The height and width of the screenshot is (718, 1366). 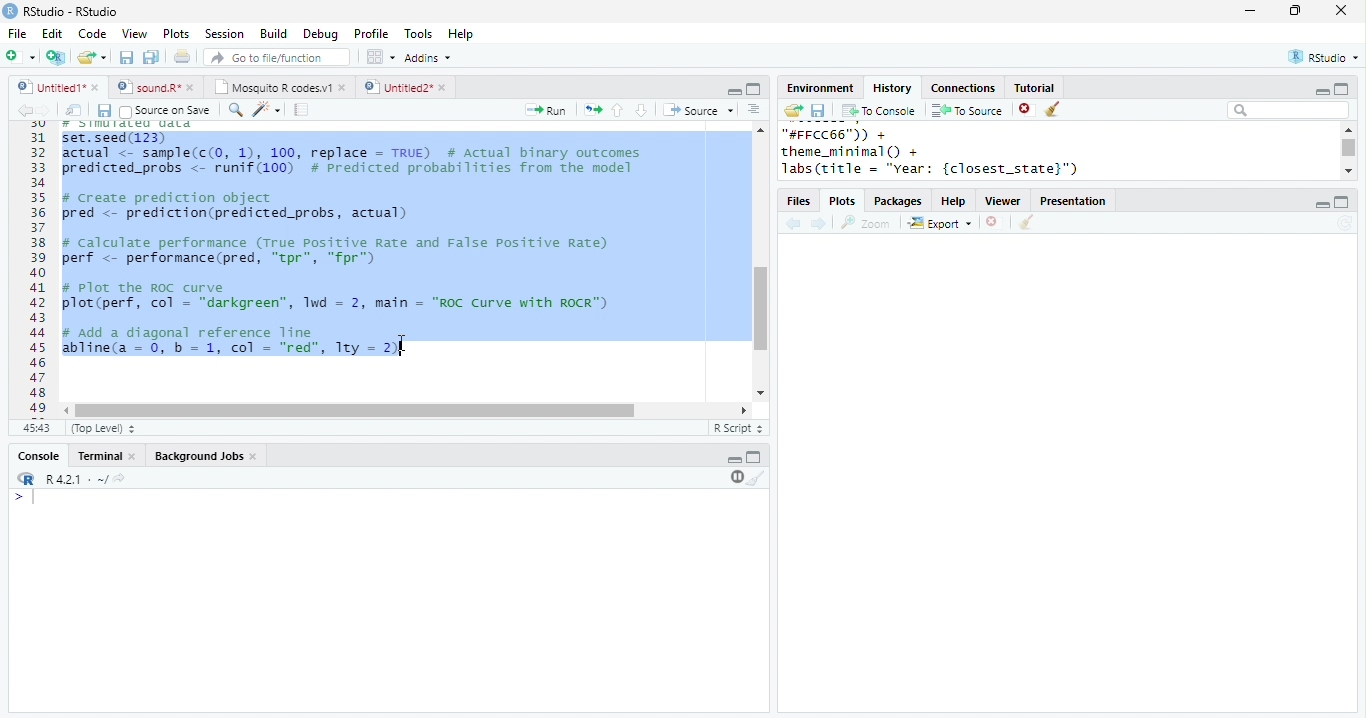 What do you see at coordinates (105, 428) in the screenshot?
I see `Top Level` at bounding box center [105, 428].